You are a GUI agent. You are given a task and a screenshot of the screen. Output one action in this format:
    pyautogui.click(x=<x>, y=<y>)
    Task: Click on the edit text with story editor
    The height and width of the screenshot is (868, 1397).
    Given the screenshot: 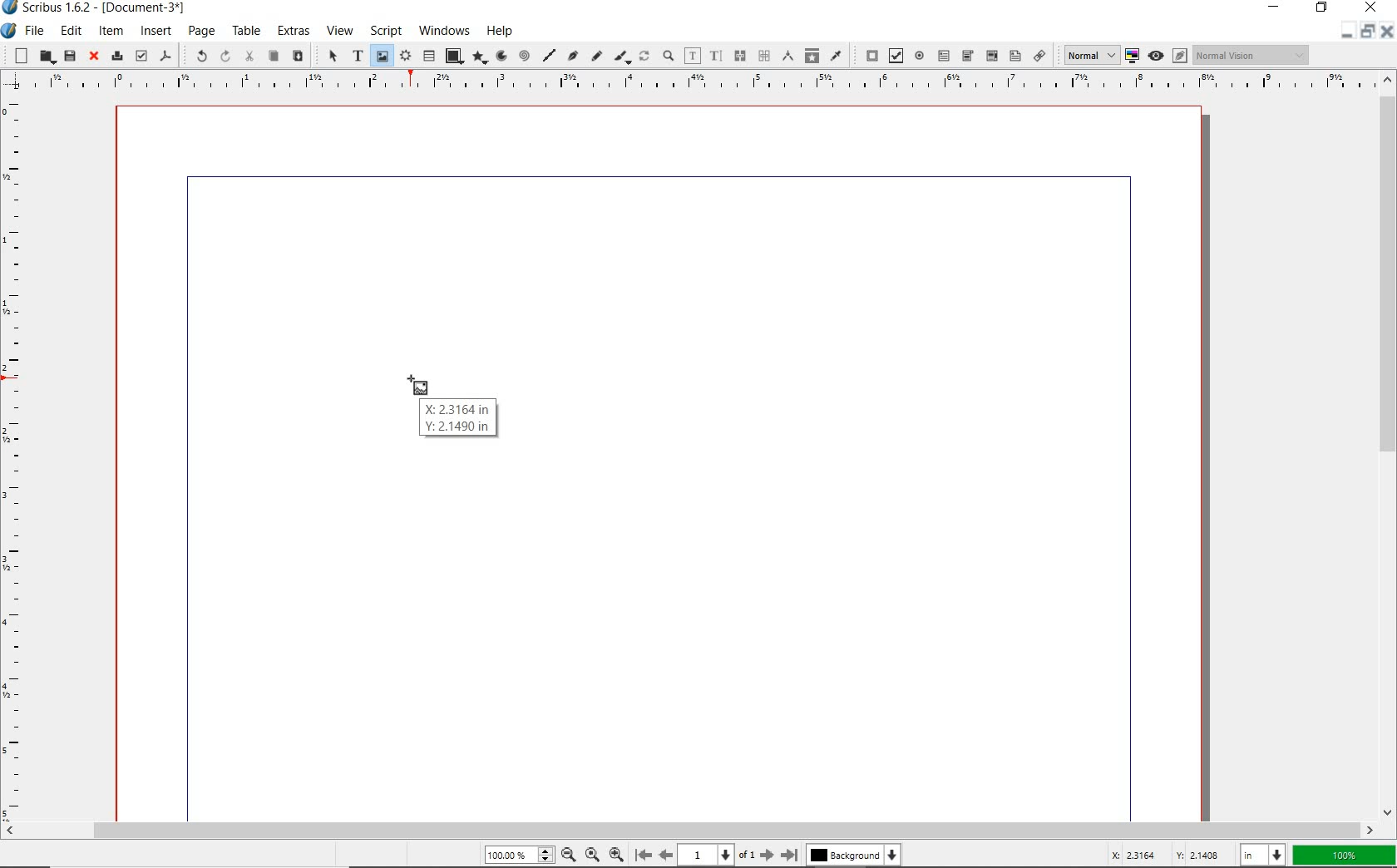 What is the action you would take?
    pyautogui.click(x=714, y=55)
    